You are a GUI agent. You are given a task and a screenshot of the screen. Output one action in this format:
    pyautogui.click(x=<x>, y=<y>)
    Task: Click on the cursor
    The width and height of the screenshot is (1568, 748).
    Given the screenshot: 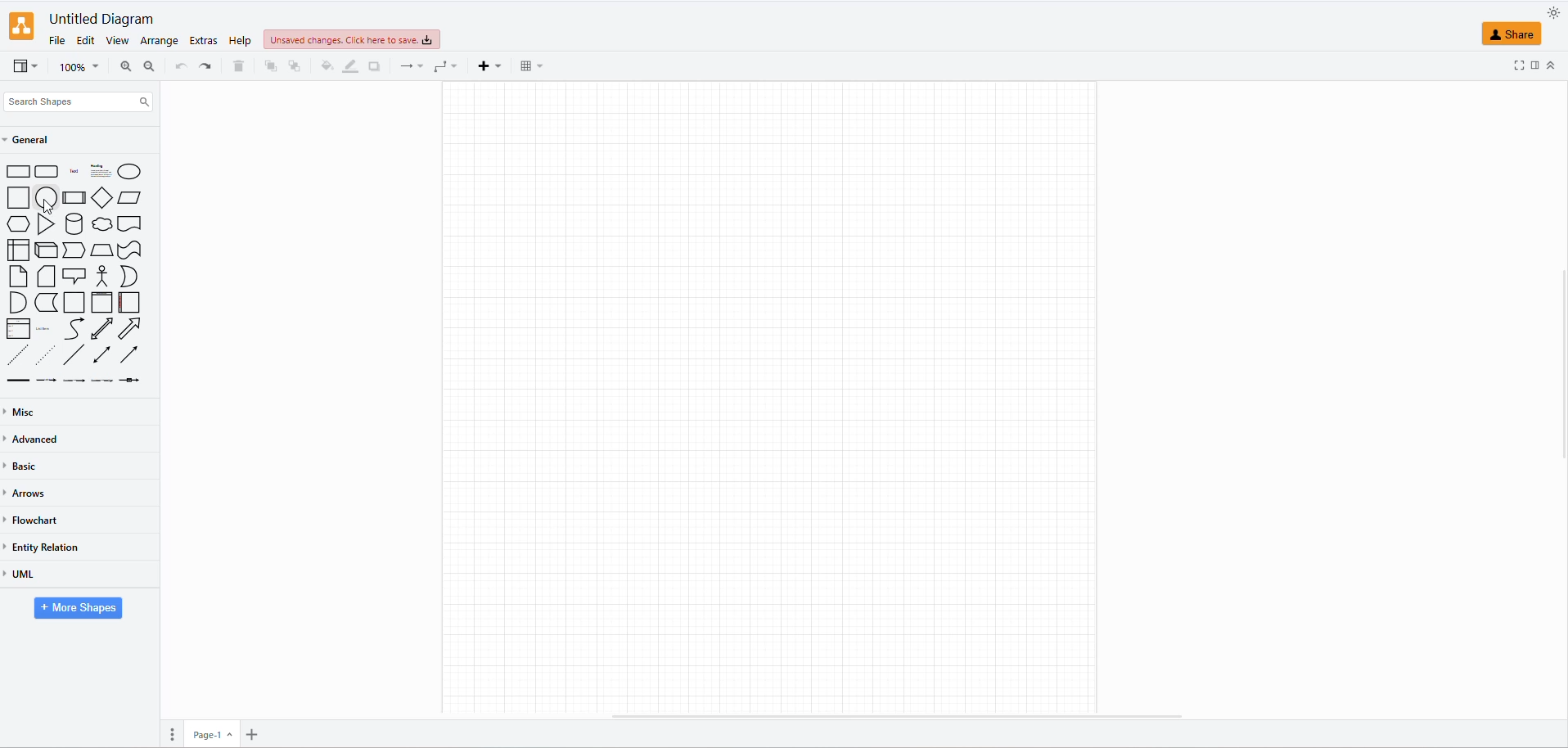 What is the action you would take?
    pyautogui.click(x=48, y=206)
    